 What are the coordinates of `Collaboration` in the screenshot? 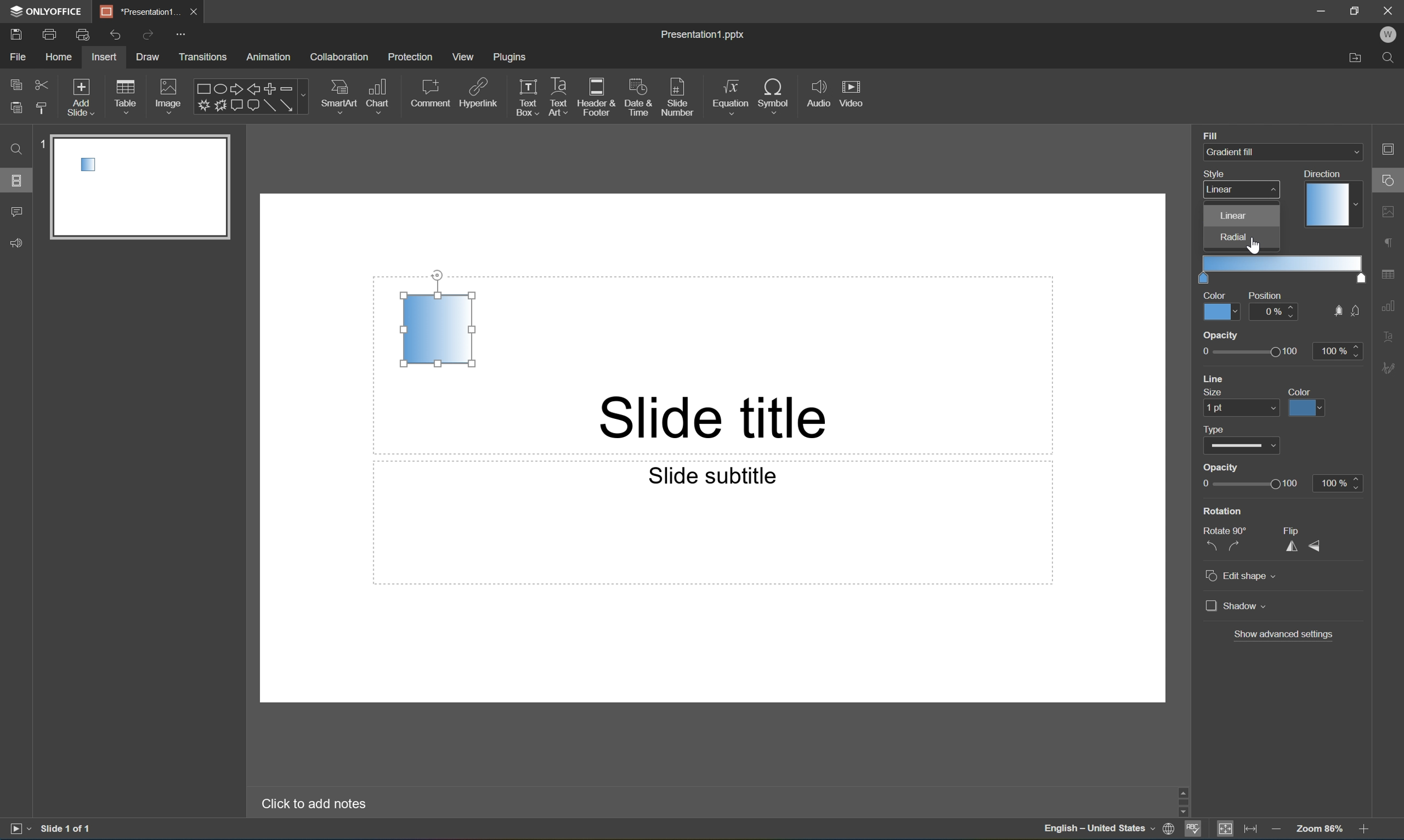 It's located at (341, 58).